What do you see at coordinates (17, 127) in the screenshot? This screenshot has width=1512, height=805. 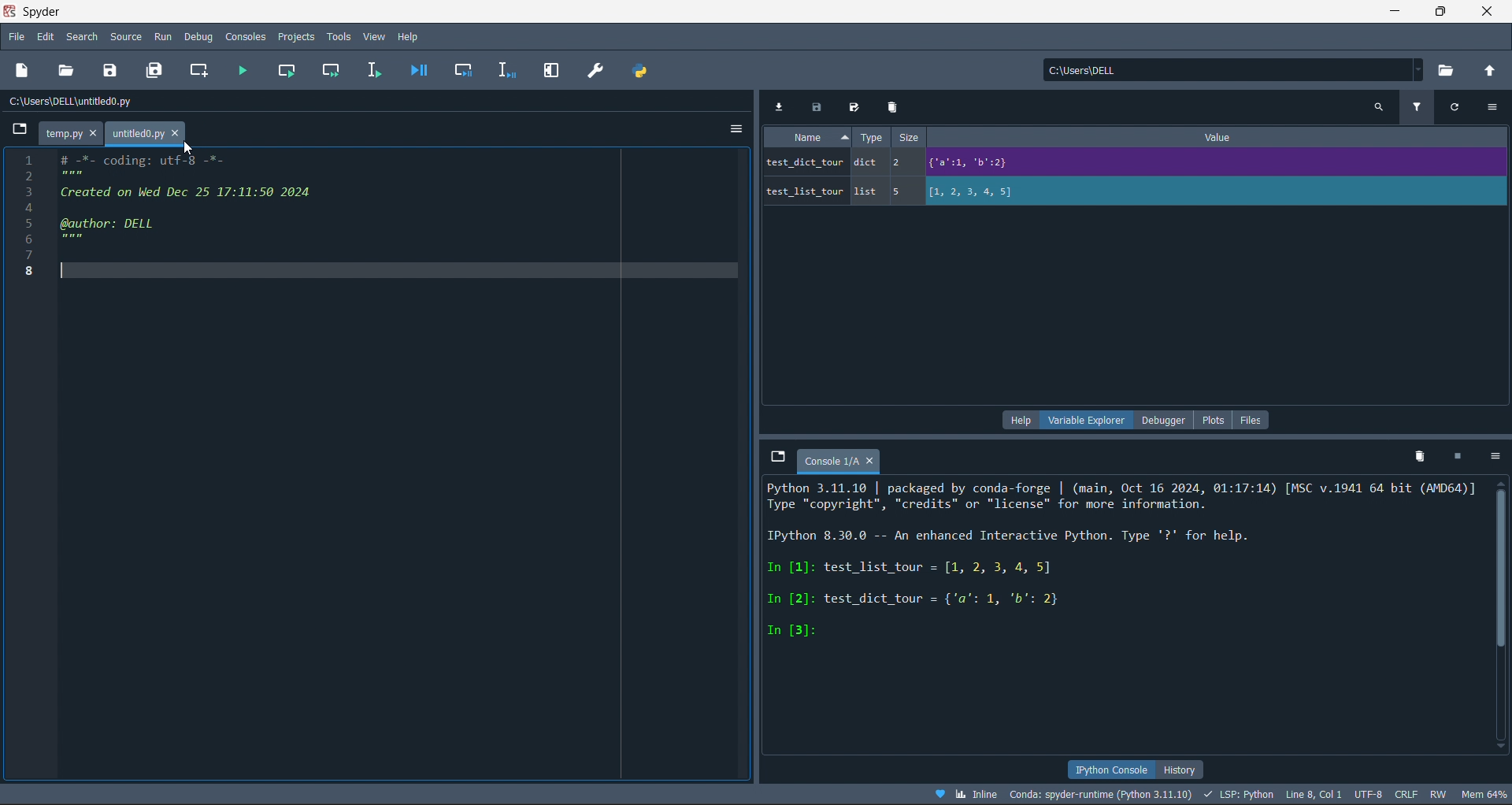 I see `browse tabs` at bounding box center [17, 127].